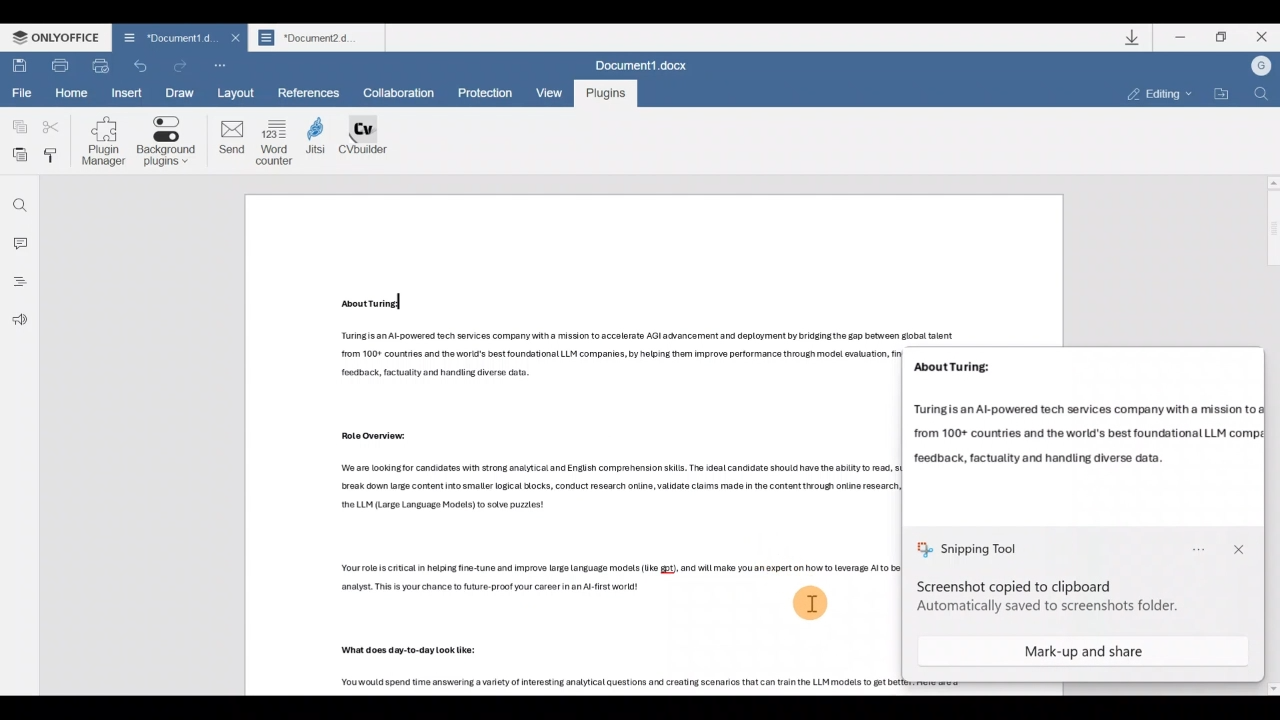 The width and height of the screenshot is (1280, 720). Describe the element at coordinates (166, 144) in the screenshot. I see `Background plugins` at that location.